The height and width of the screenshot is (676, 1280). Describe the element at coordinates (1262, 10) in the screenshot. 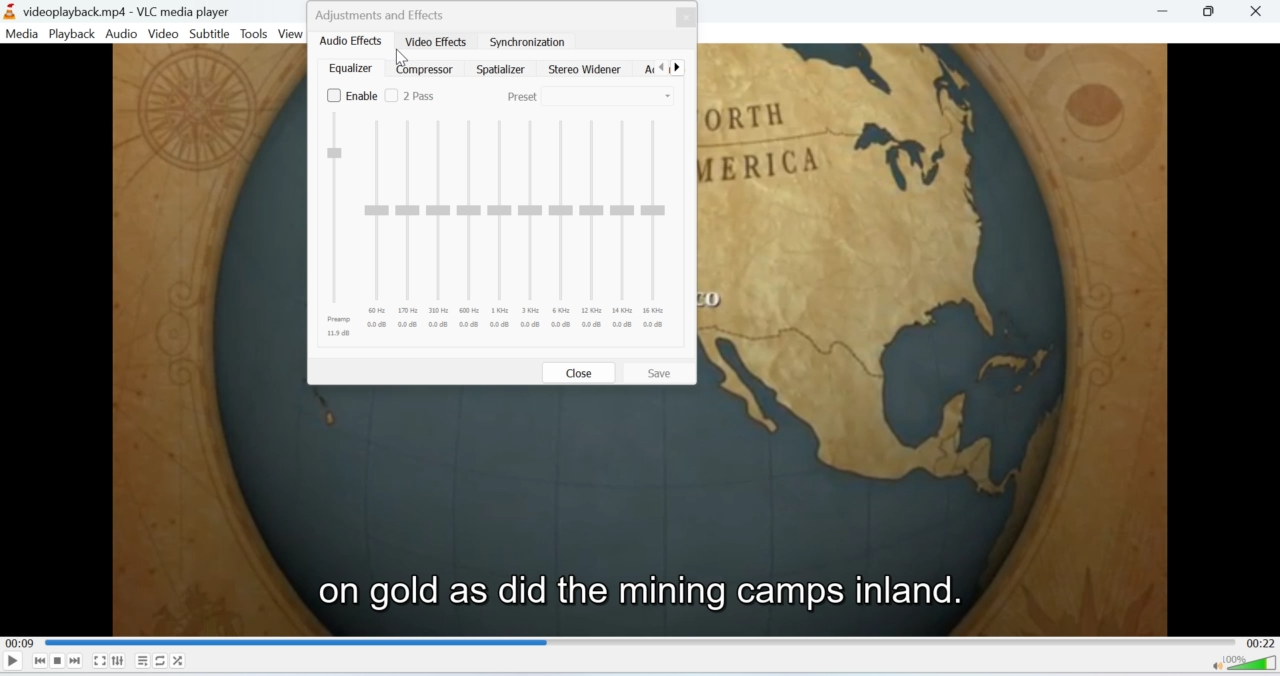

I see `Close` at that location.